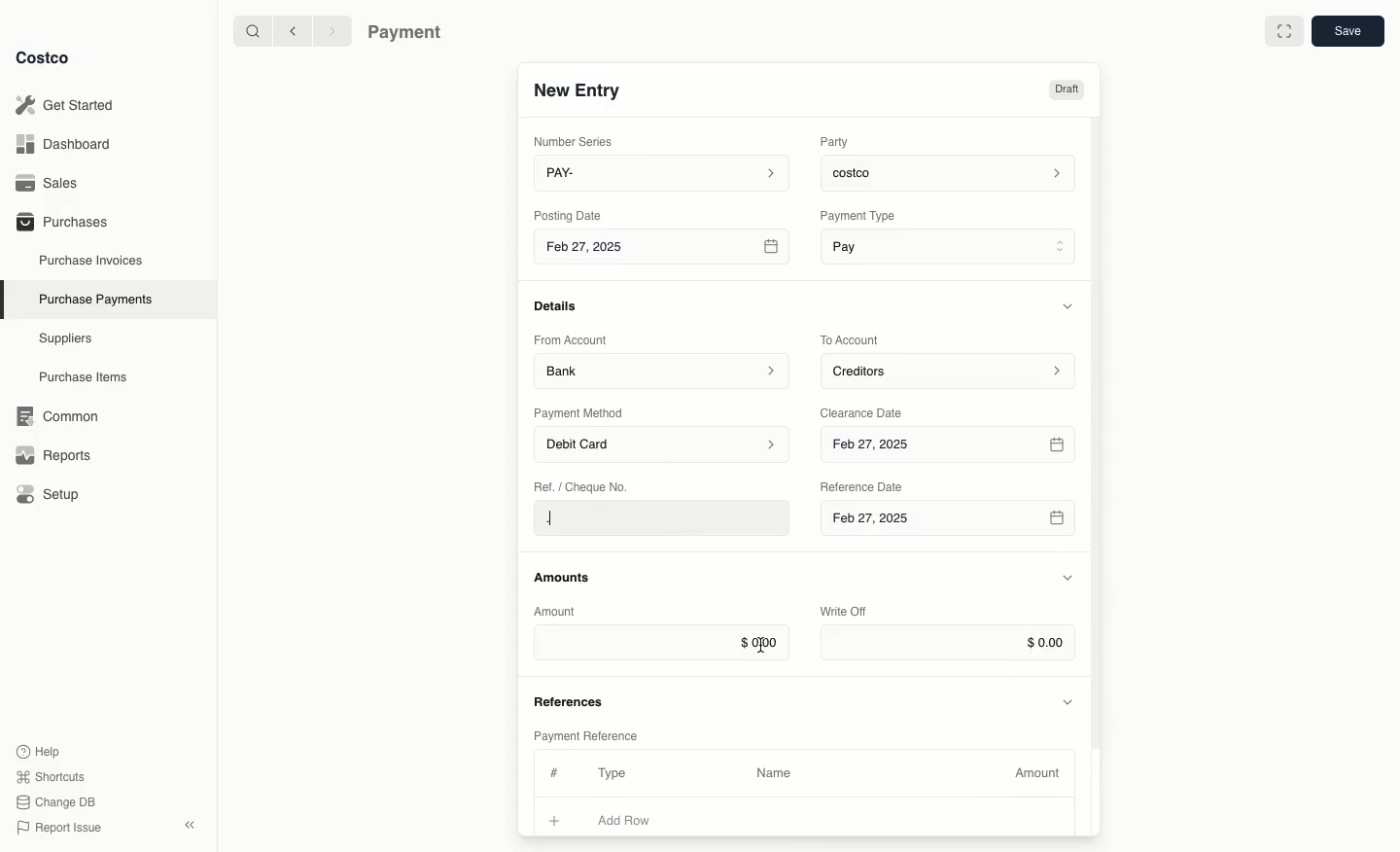  Describe the element at coordinates (951, 370) in the screenshot. I see `Creditors` at that location.